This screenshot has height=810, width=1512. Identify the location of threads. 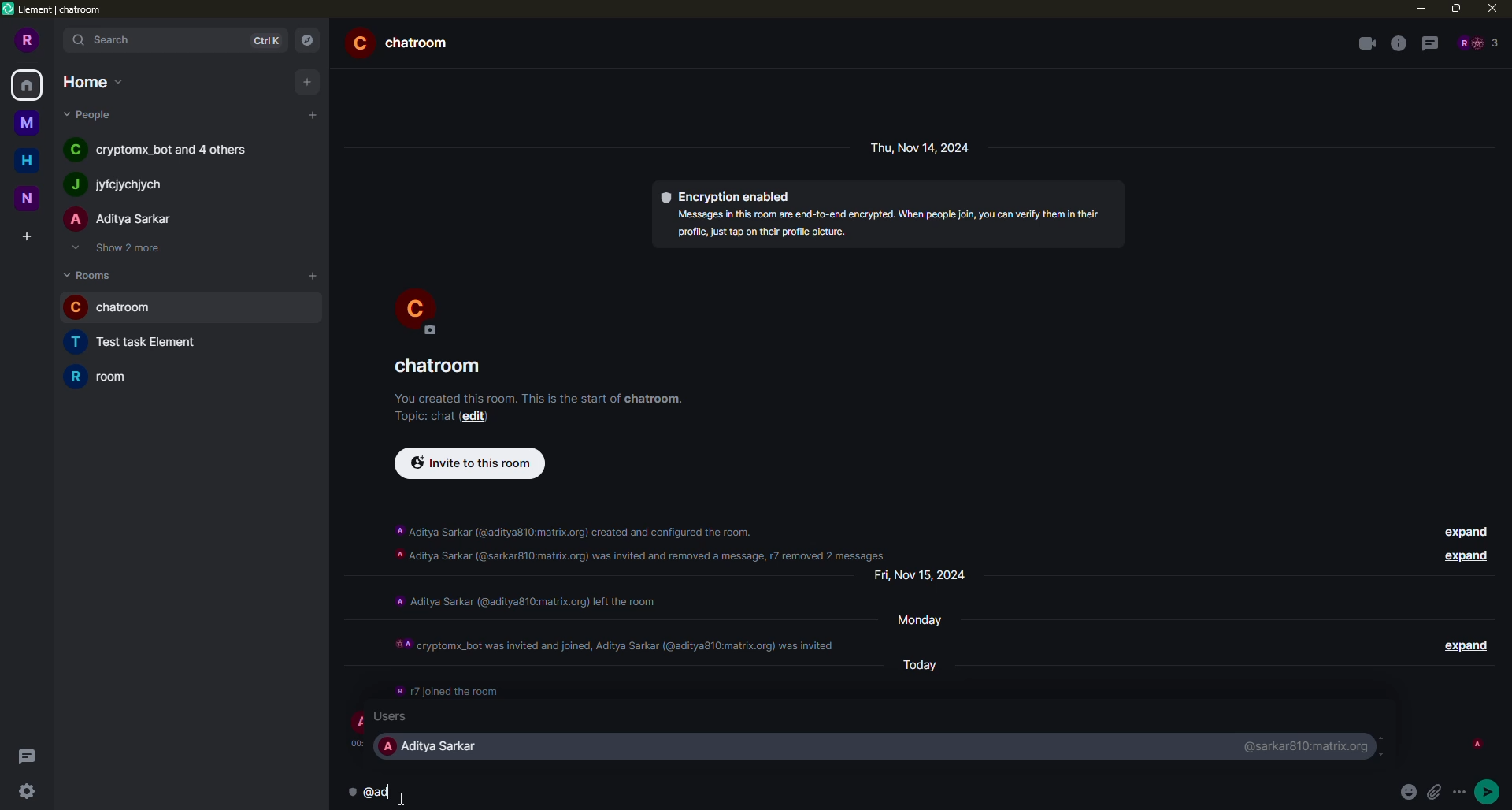
(25, 756).